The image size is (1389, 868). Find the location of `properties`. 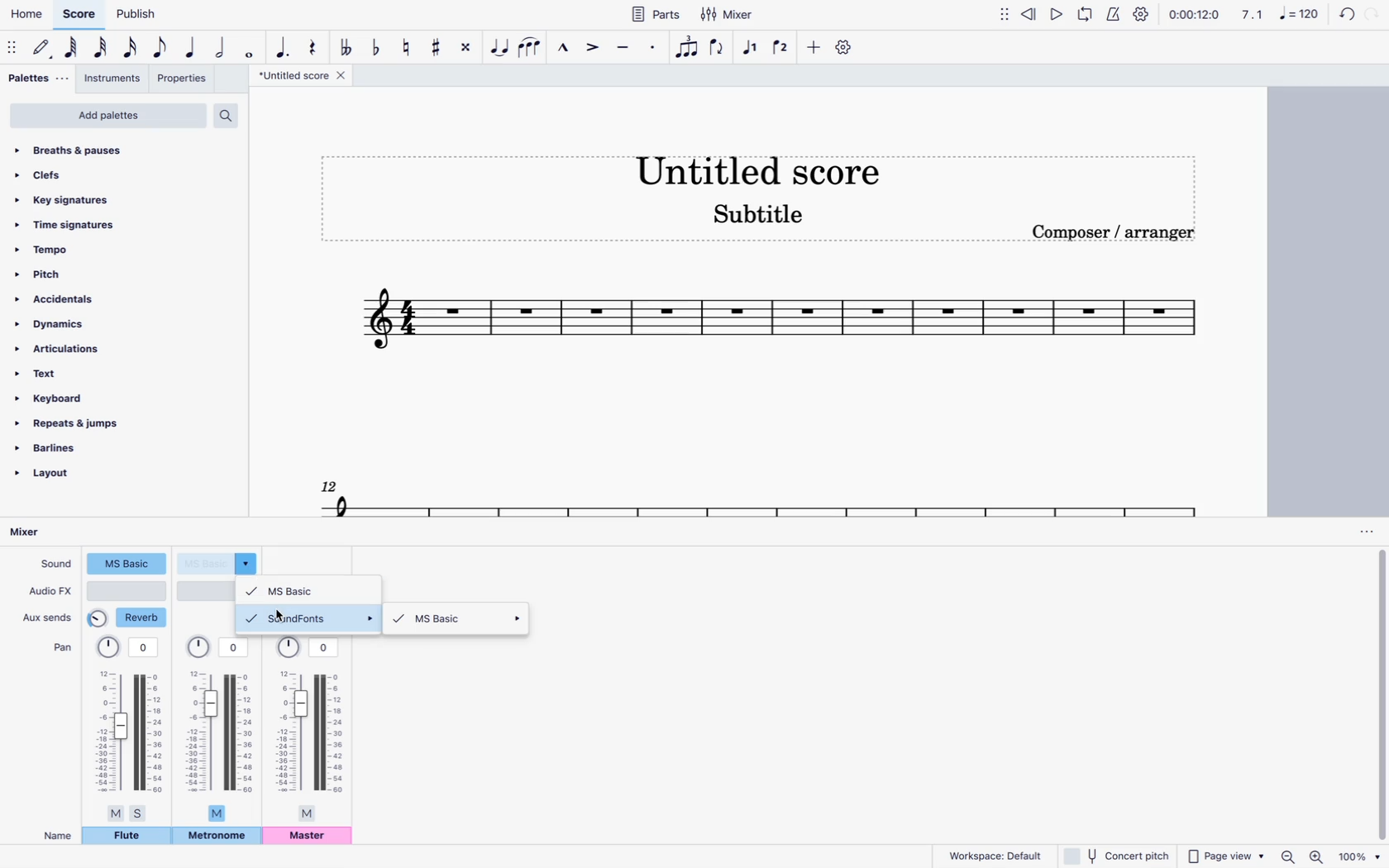

properties is located at coordinates (185, 81).